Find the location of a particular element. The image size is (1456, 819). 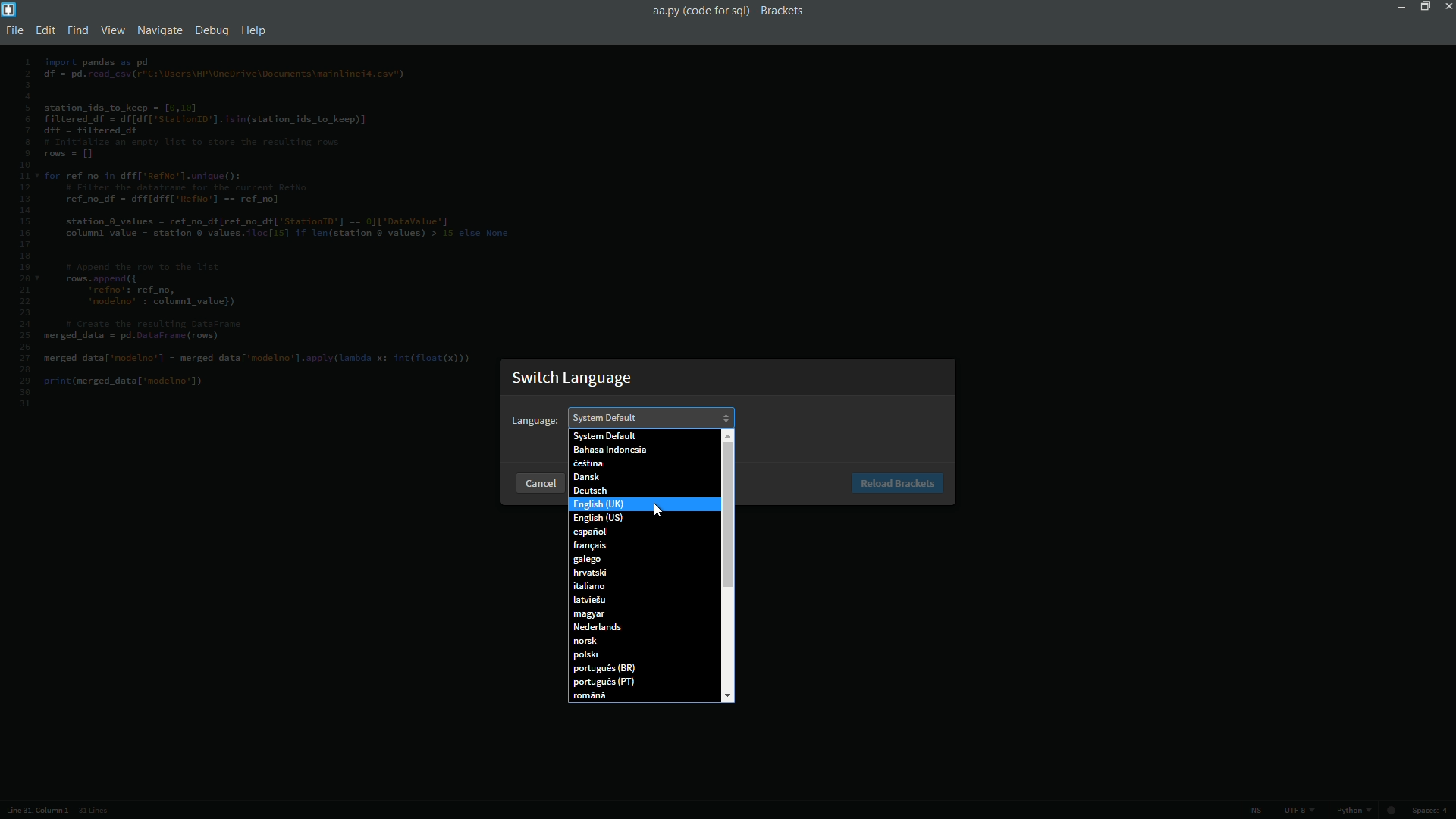

language-19 is located at coordinates (591, 696).